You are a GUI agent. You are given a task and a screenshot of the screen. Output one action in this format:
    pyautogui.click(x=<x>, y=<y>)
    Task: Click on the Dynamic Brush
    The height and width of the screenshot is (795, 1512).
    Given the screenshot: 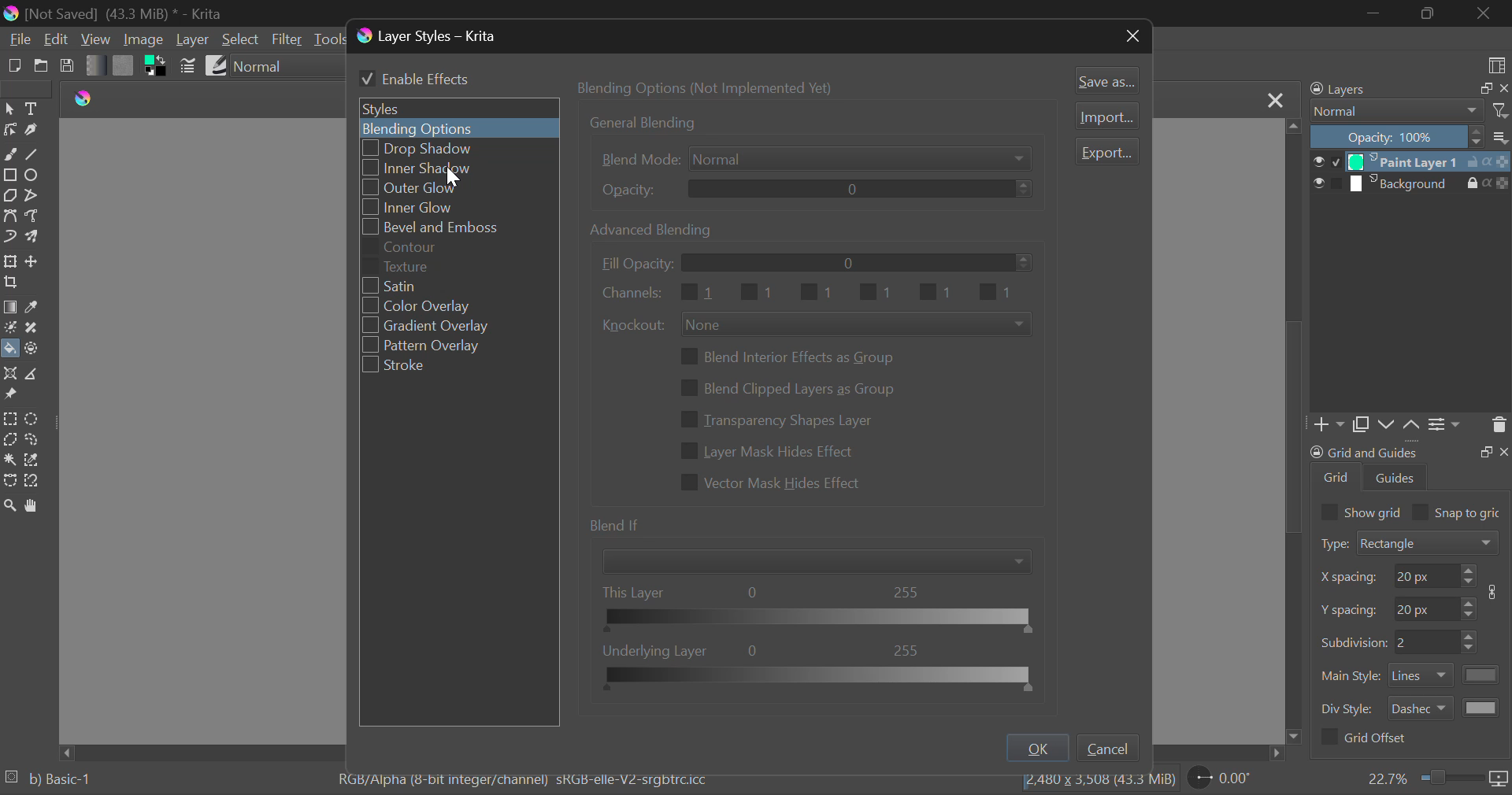 What is the action you would take?
    pyautogui.click(x=10, y=238)
    